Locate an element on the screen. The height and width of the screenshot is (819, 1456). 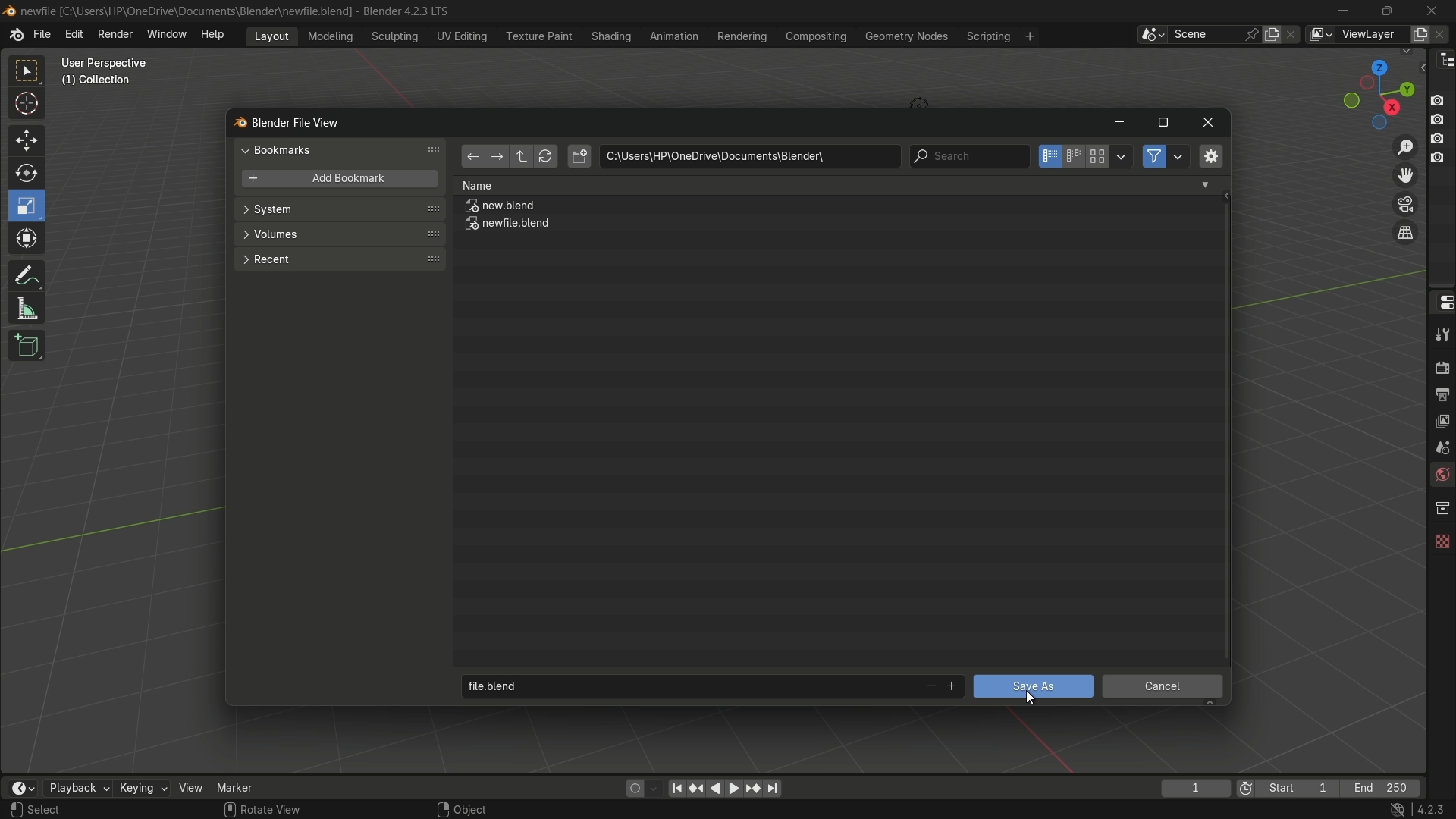
horizontal list is located at coordinates (1073, 156).